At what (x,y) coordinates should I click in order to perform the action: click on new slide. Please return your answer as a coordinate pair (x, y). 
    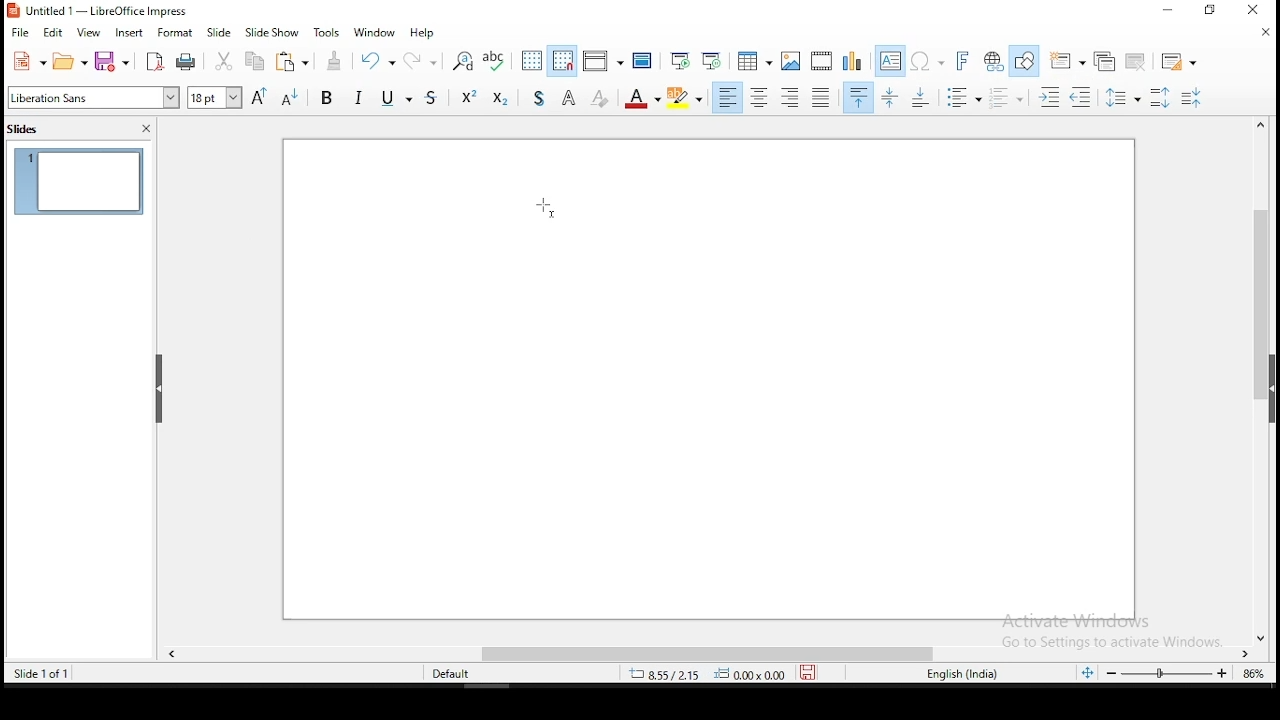
    Looking at the image, I should click on (1066, 60).